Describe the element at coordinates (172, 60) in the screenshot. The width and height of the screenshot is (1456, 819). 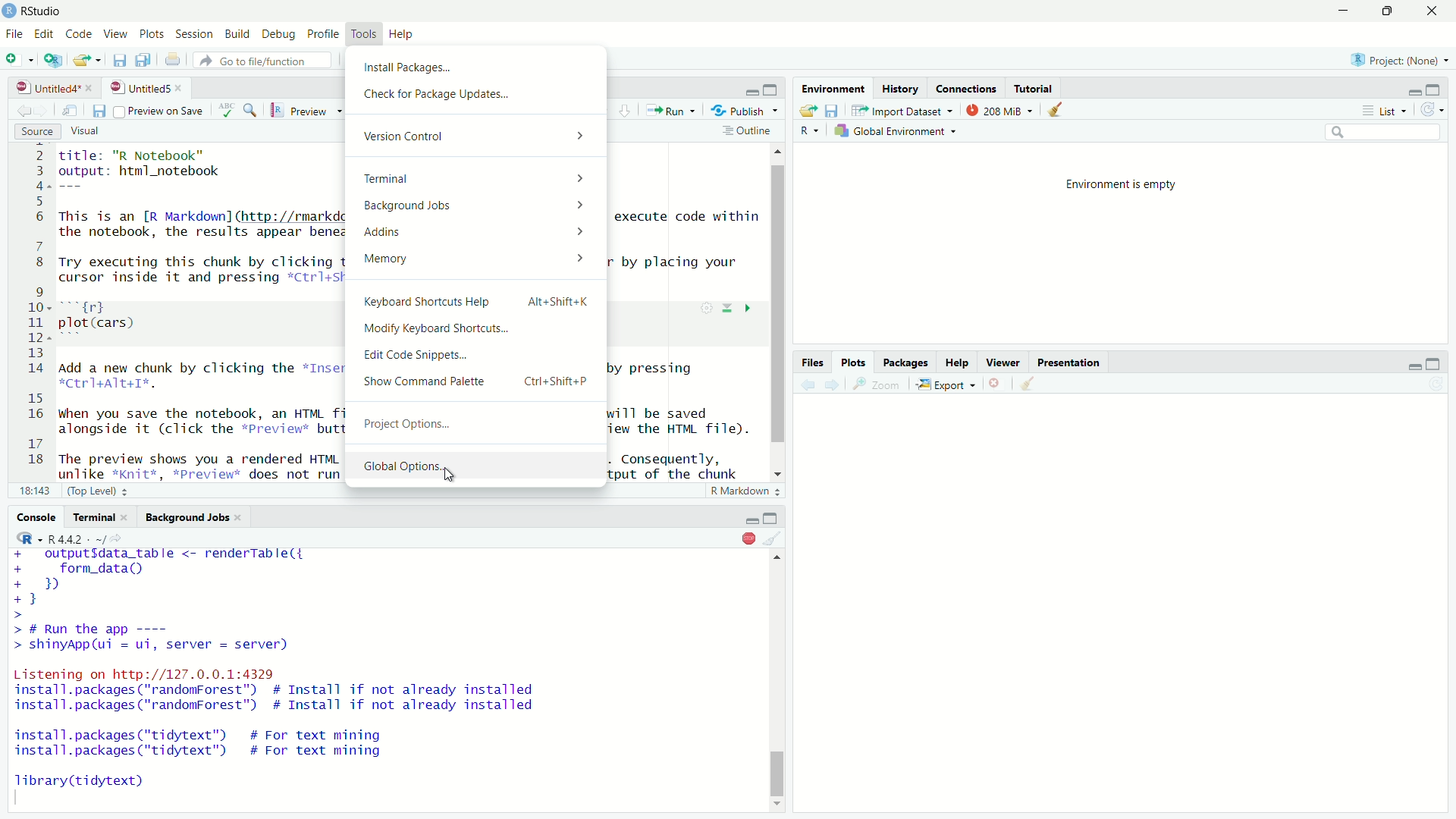
I see `print the current file` at that location.